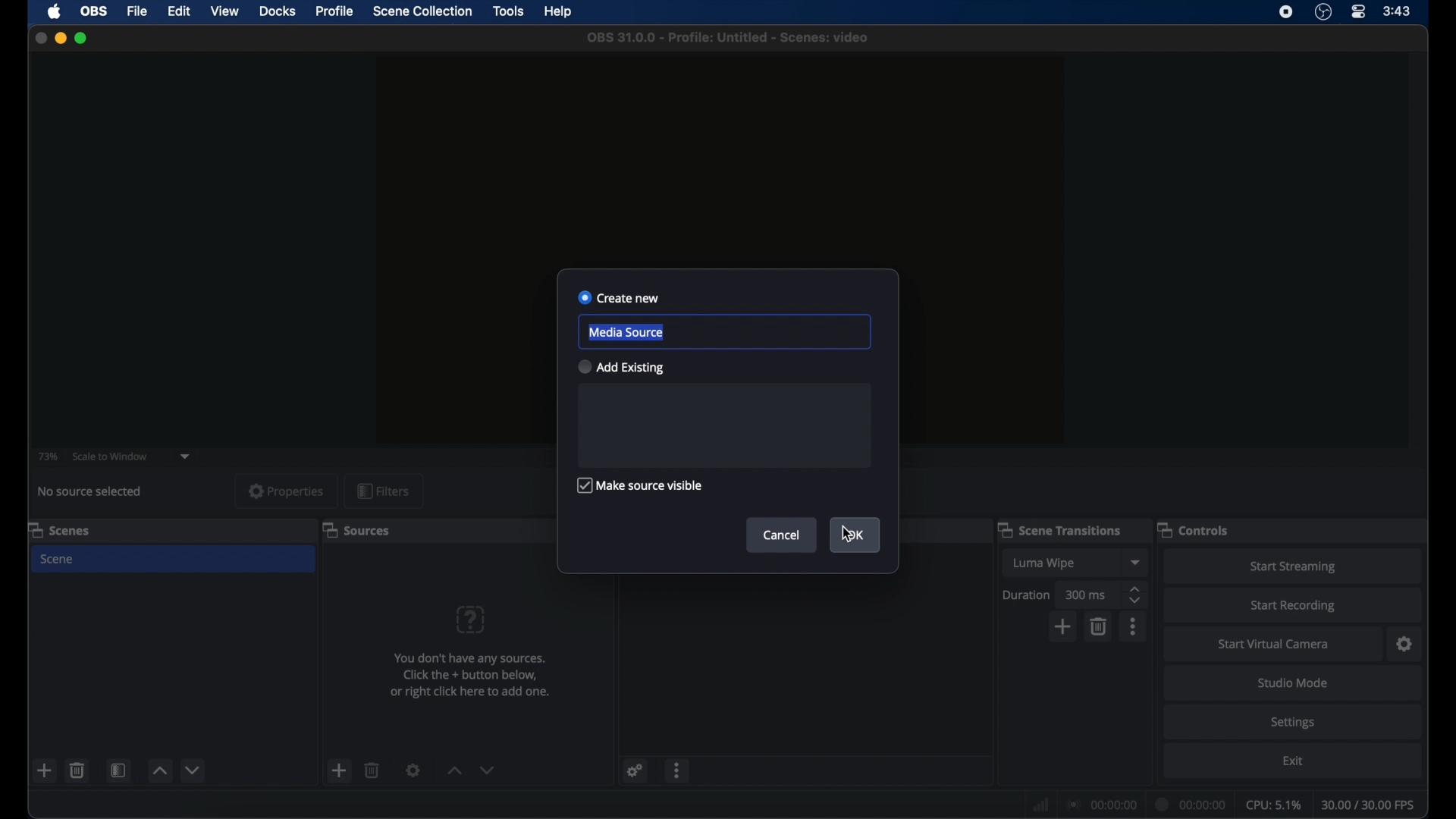 Image resolution: width=1456 pixels, height=819 pixels. I want to click on 30.00/30.00 fps, so click(1369, 805).